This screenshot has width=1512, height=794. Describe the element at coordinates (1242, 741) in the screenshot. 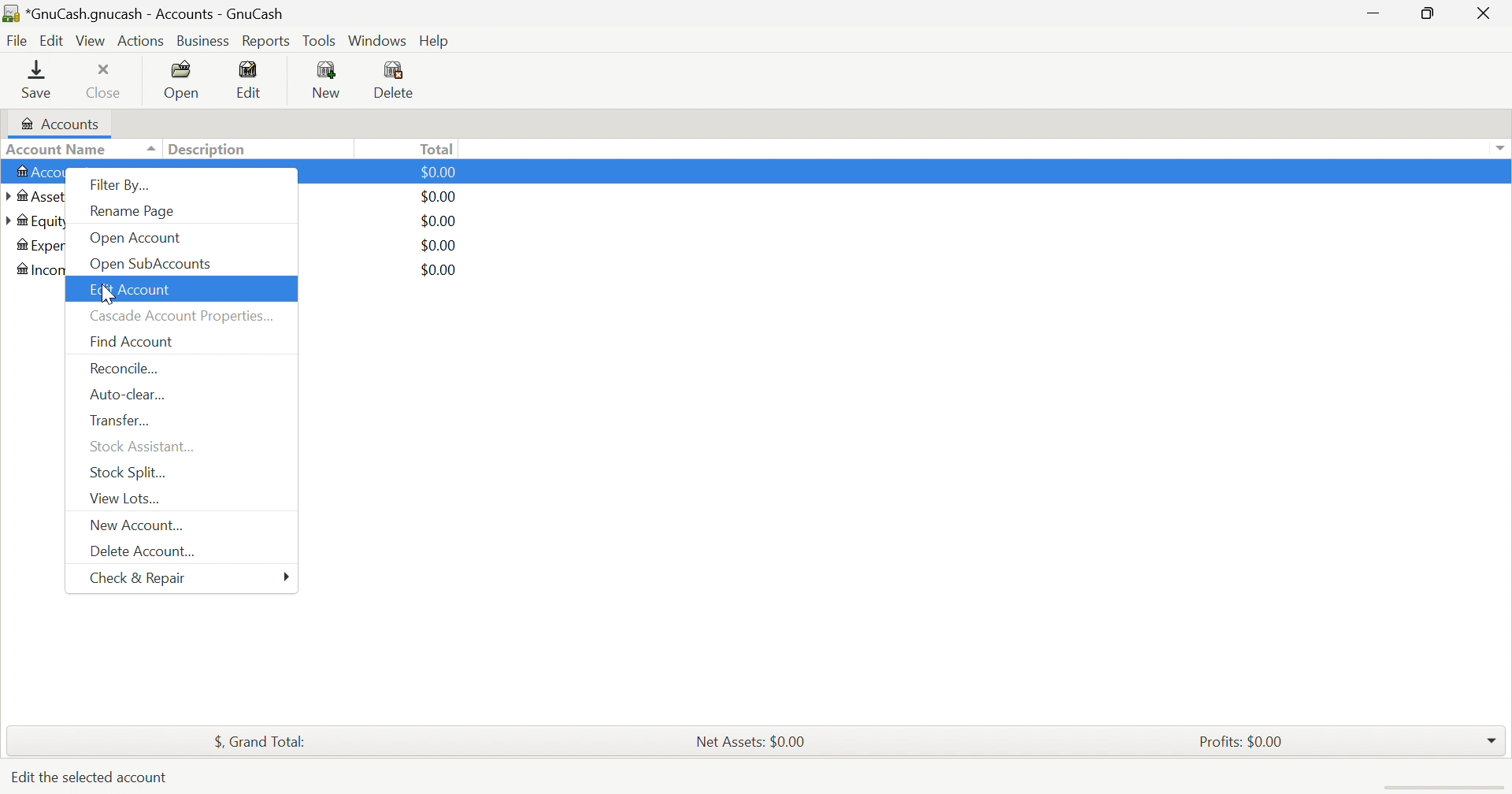

I see `Profits: $0.00` at that location.